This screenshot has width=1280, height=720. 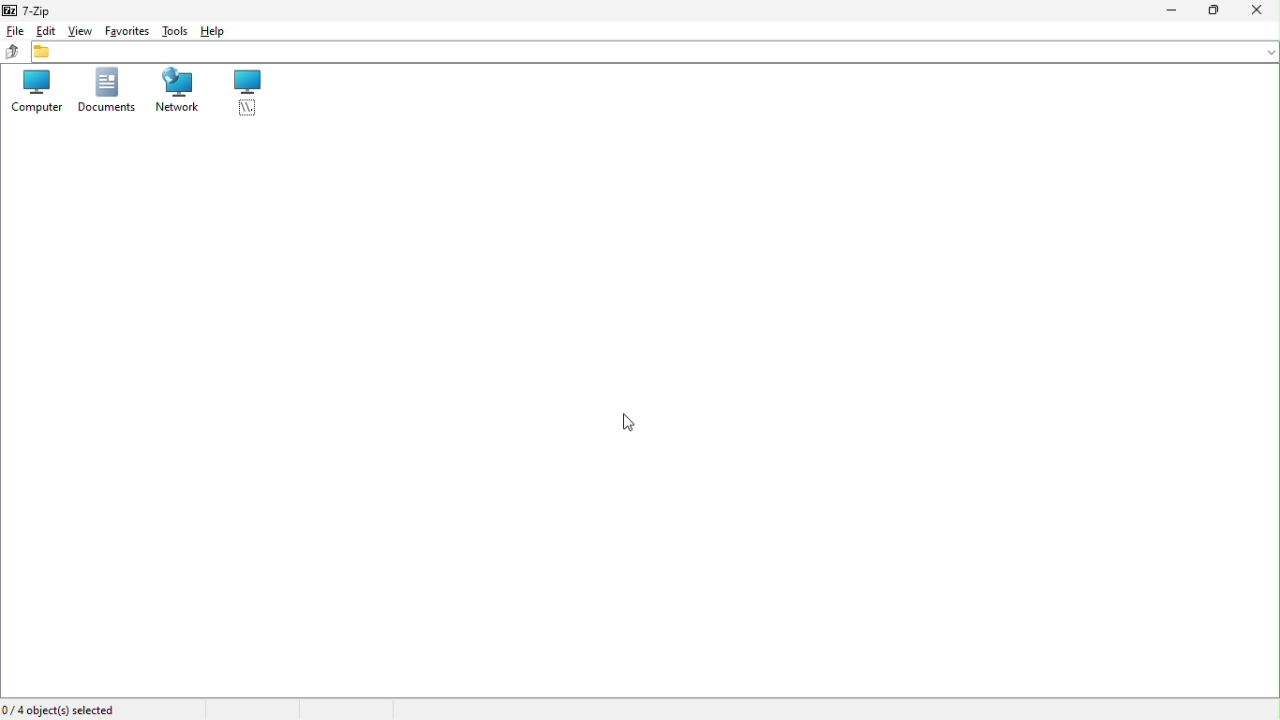 I want to click on Network, so click(x=177, y=93).